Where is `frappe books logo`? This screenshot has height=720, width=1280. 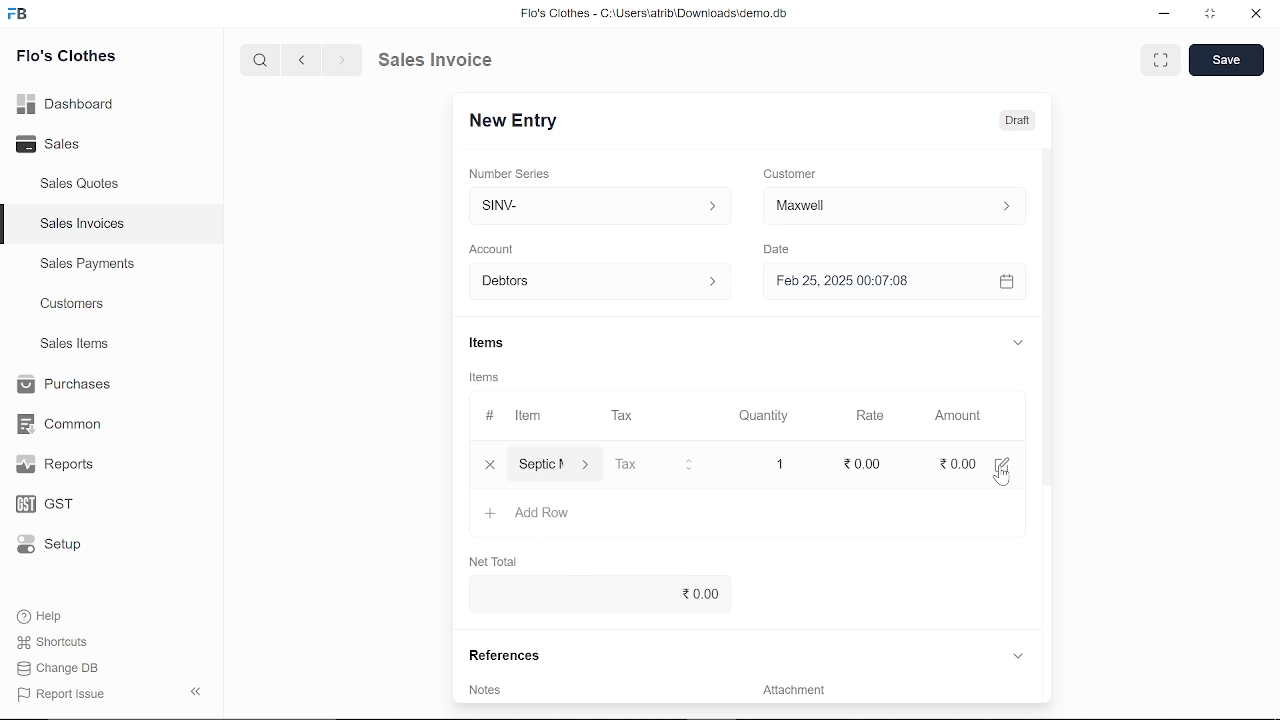
frappe books logo is located at coordinates (20, 17).